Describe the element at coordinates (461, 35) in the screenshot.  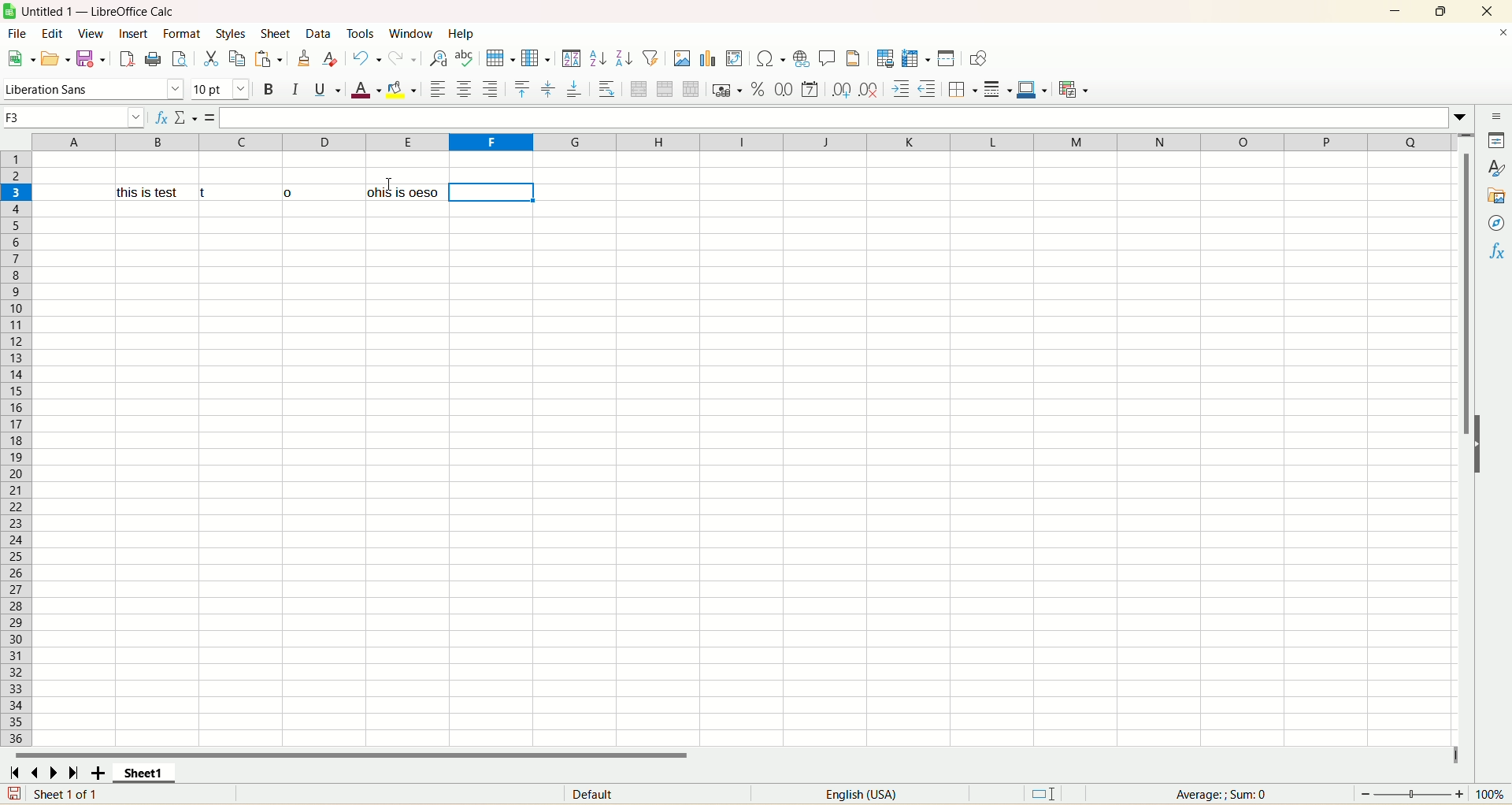
I see `help` at that location.